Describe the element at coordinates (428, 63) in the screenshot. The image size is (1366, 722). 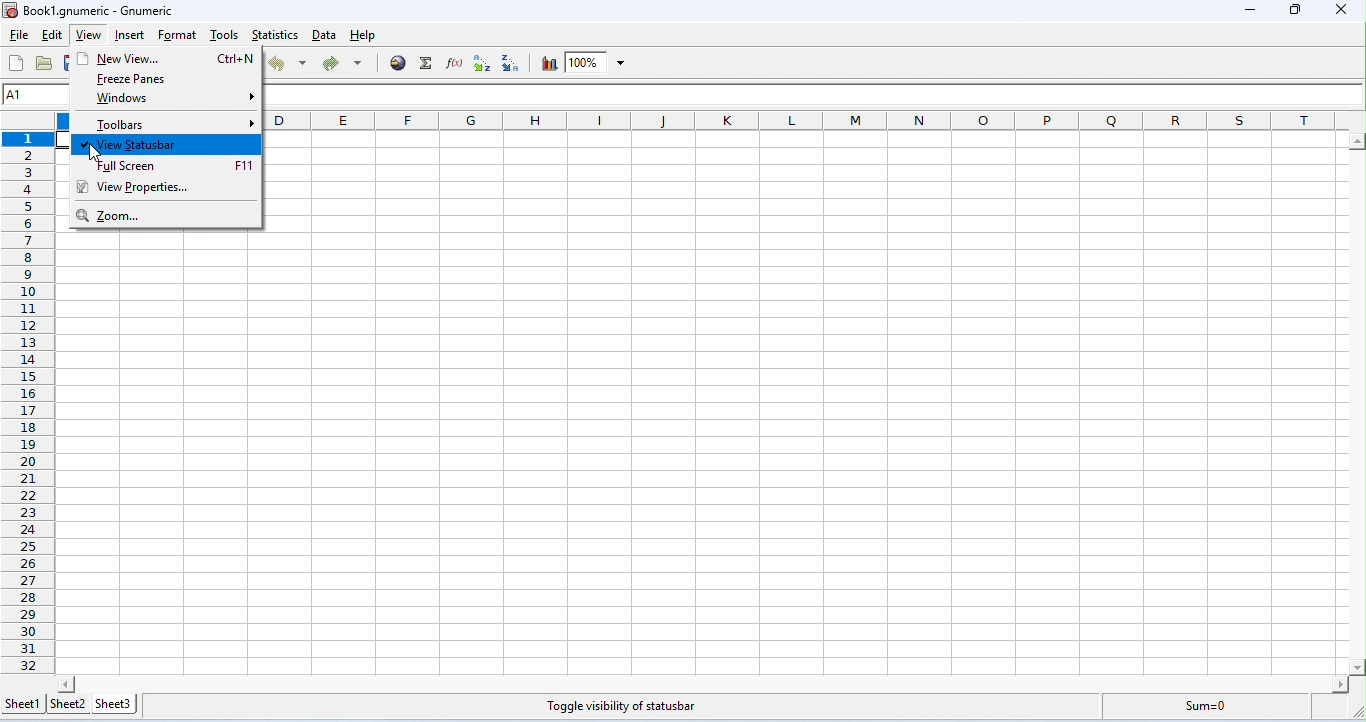
I see `select function` at that location.